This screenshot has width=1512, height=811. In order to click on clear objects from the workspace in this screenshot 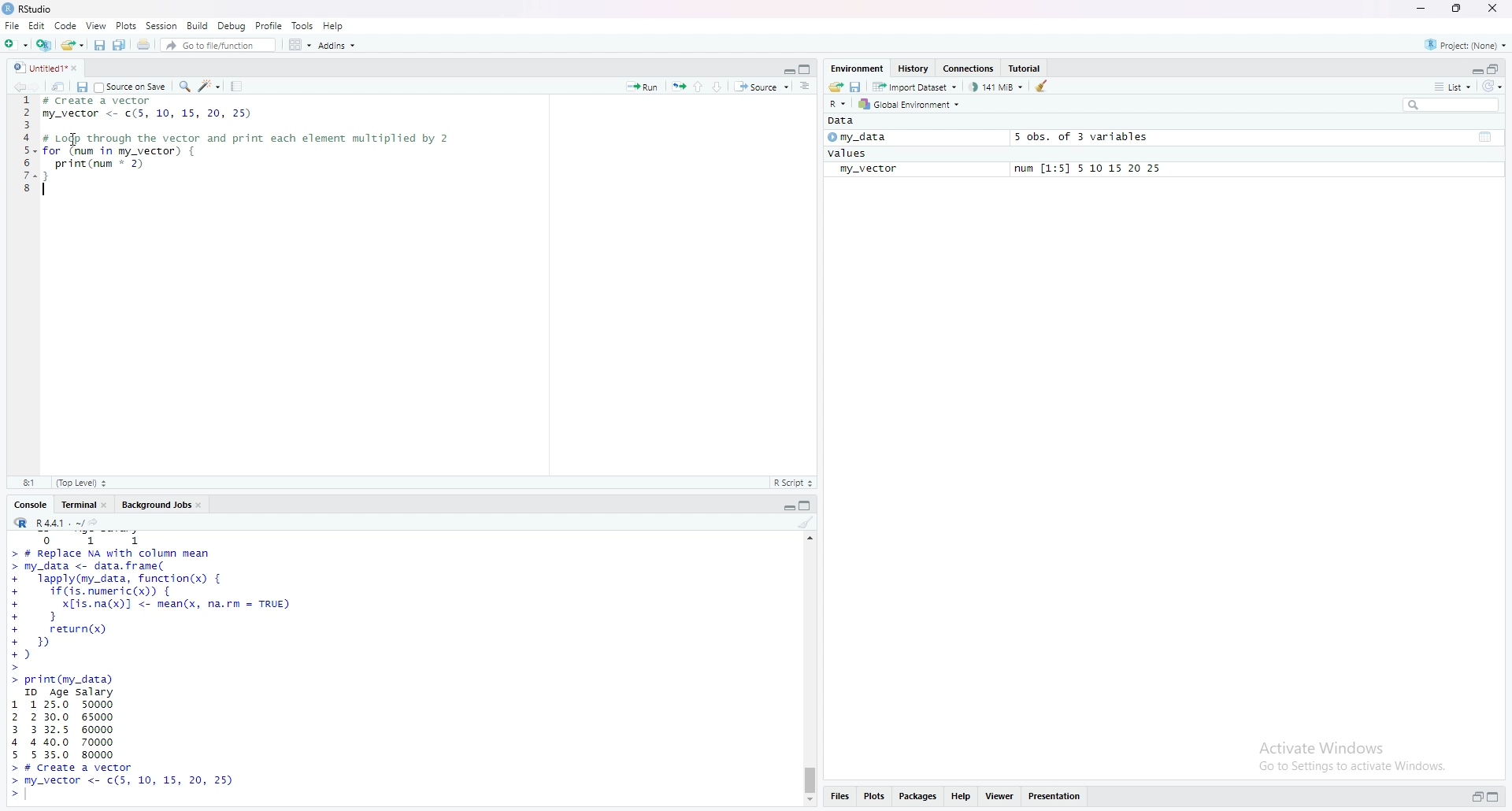, I will do `click(1043, 87)`.